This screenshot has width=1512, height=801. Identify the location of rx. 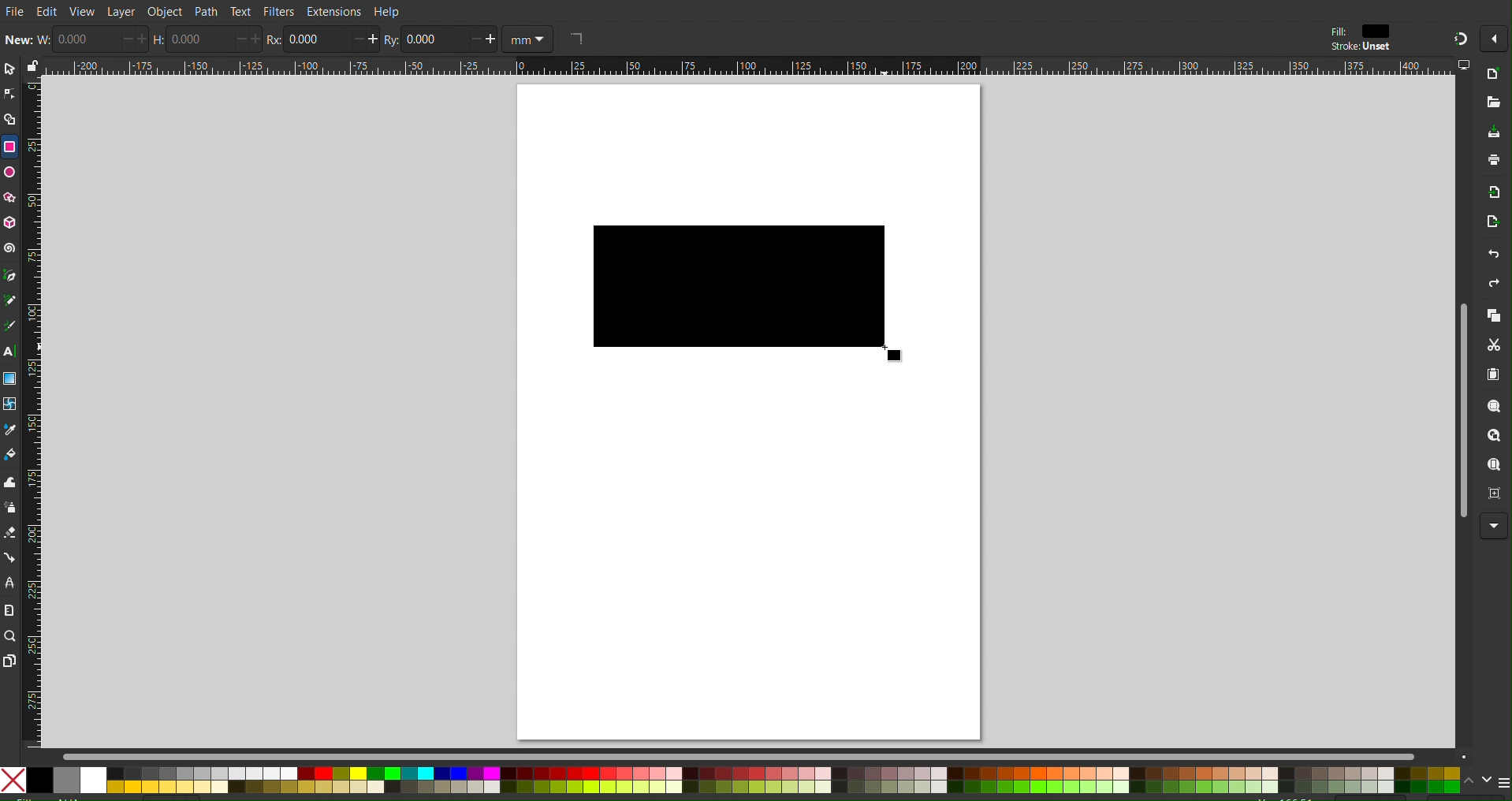
(274, 40).